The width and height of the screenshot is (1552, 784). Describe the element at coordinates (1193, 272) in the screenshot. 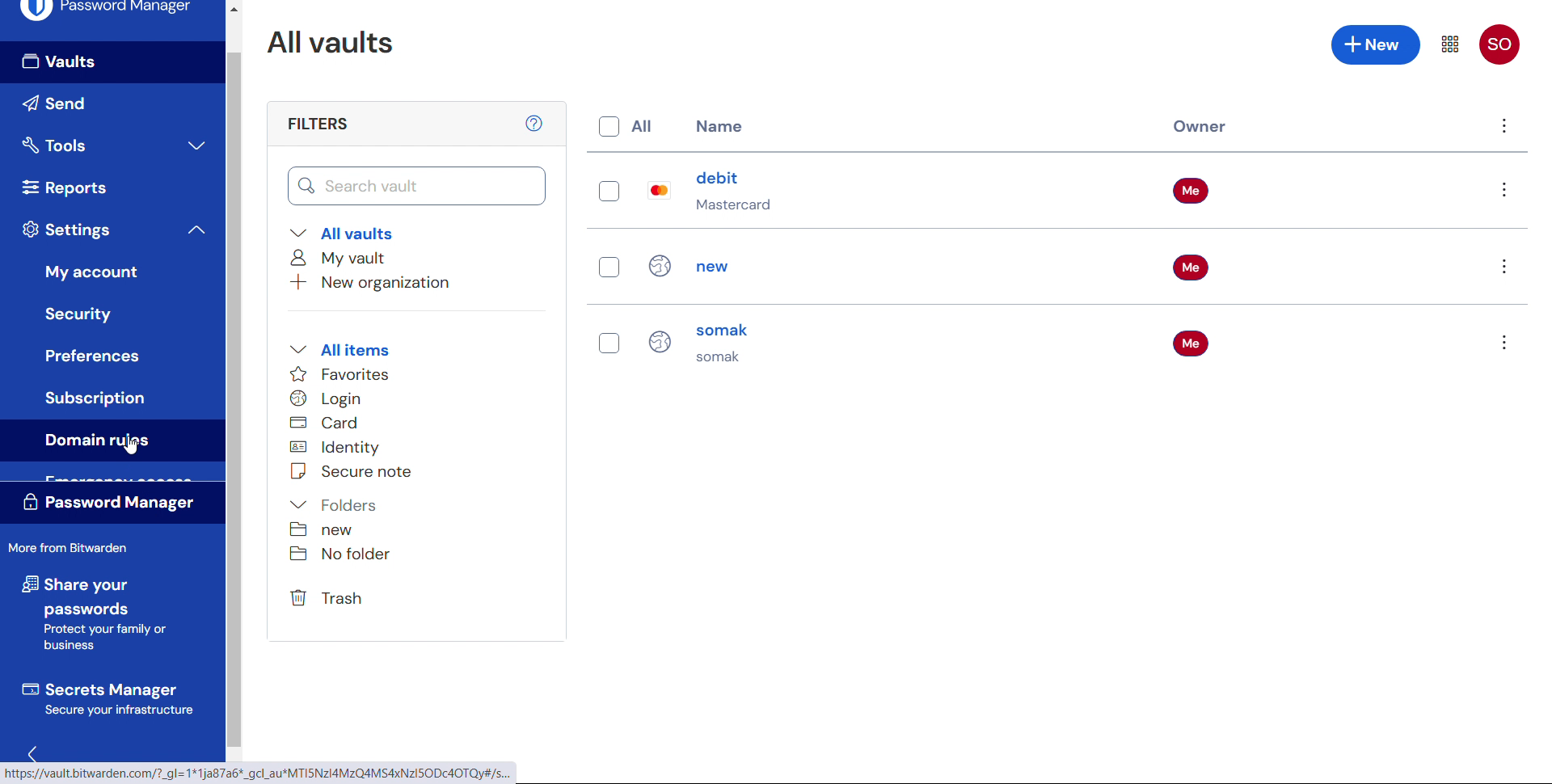

I see `Owner of the entries ` at that location.